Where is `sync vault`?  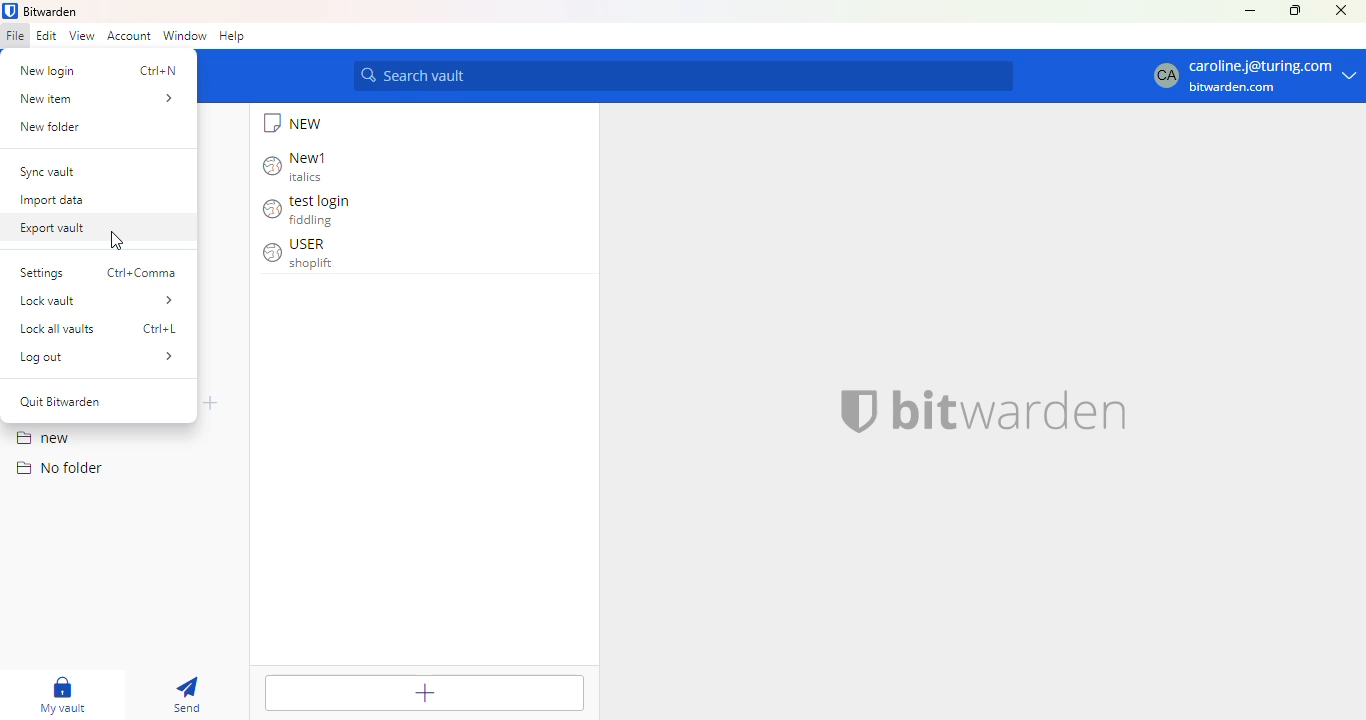 sync vault is located at coordinates (98, 172).